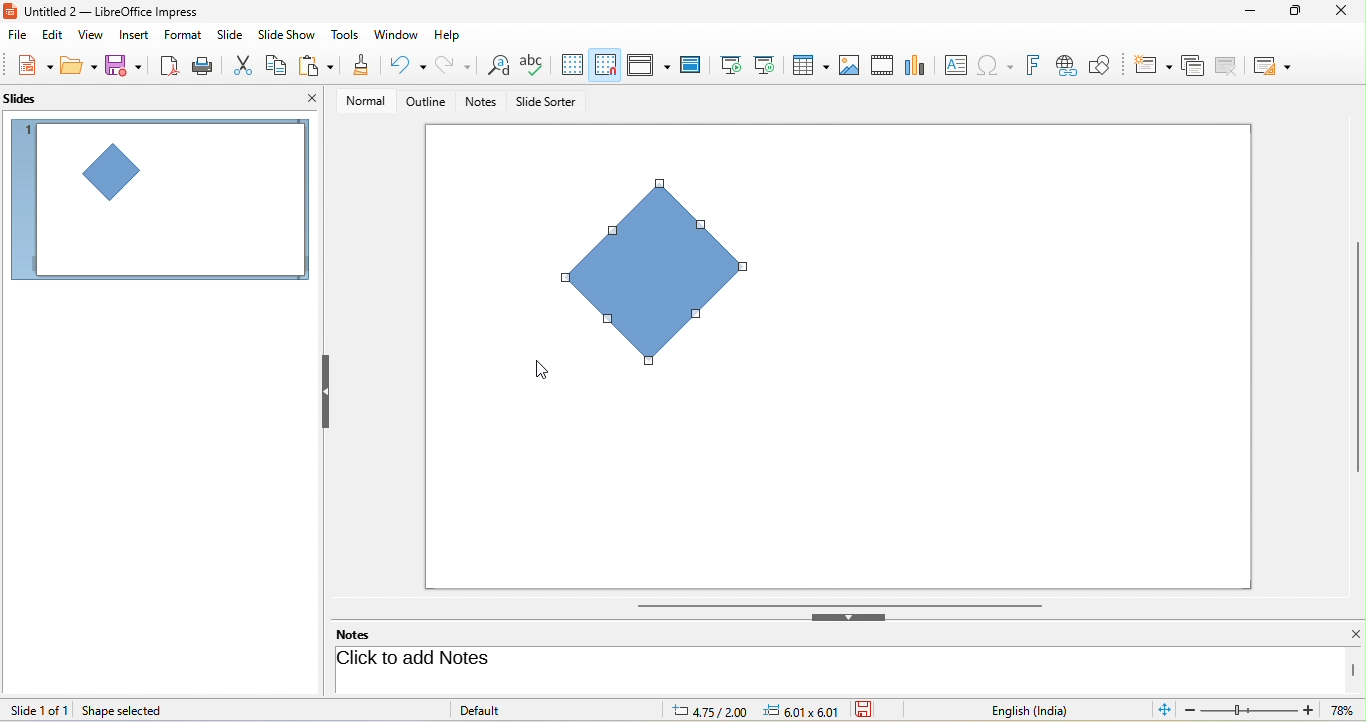  What do you see at coordinates (186, 37) in the screenshot?
I see `format` at bounding box center [186, 37].